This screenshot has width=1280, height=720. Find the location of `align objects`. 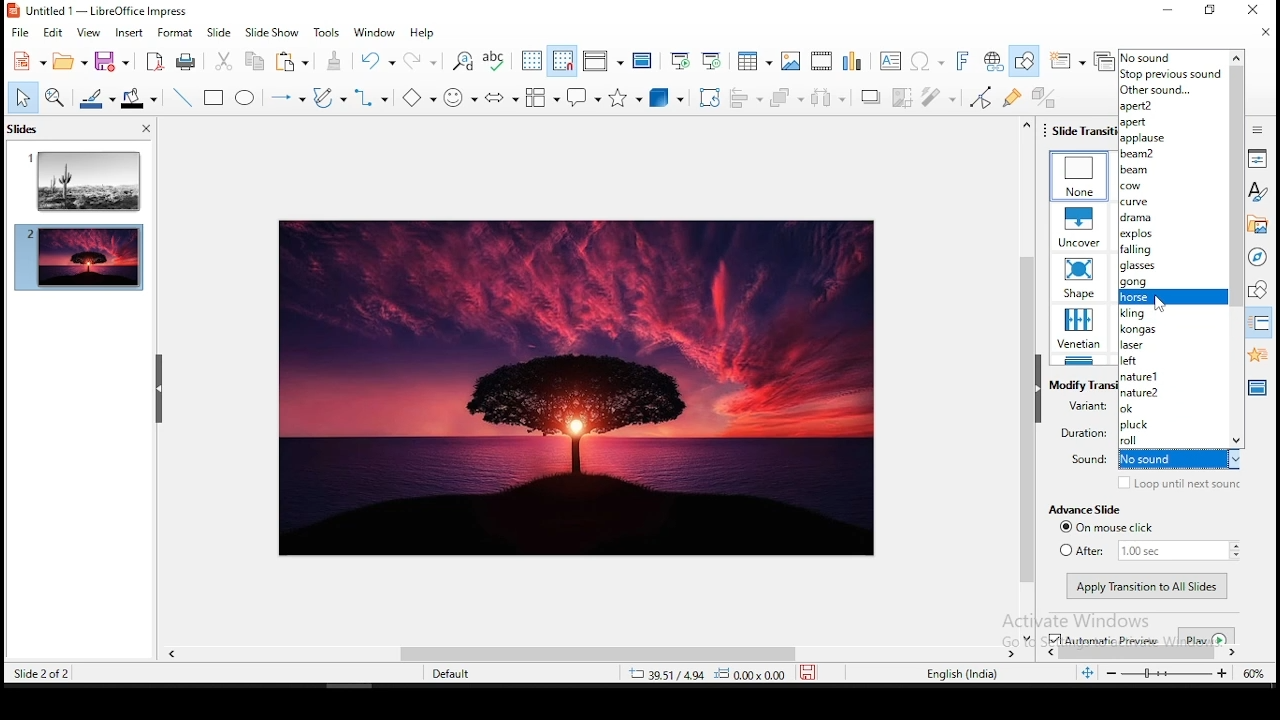

align objects is located at coordinates (749, 99).